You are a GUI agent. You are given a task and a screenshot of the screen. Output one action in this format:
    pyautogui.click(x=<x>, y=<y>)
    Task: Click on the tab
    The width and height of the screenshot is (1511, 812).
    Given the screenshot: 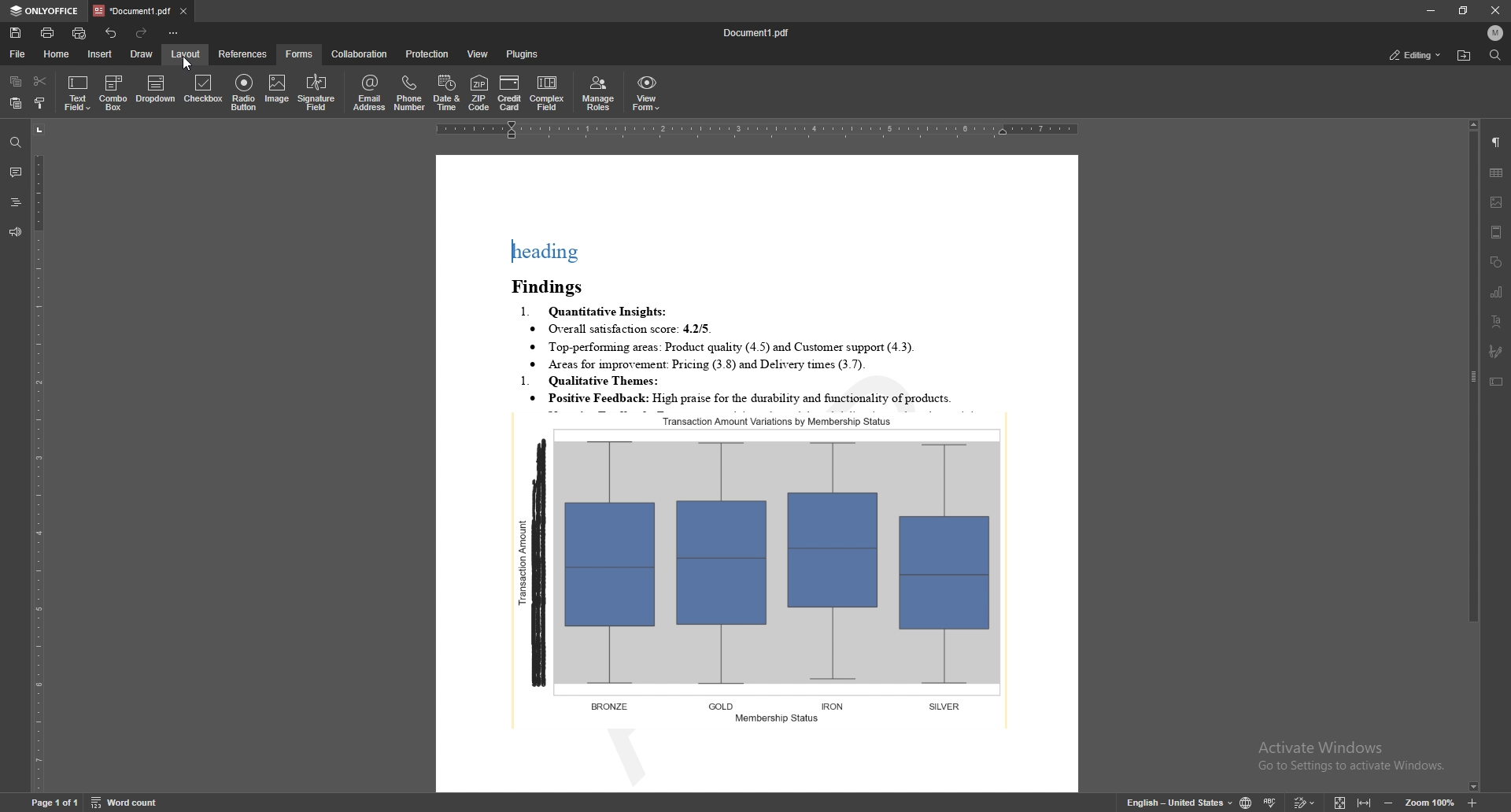 What is the action you would take?
    pyautogui.click(x=133, y=9)
    